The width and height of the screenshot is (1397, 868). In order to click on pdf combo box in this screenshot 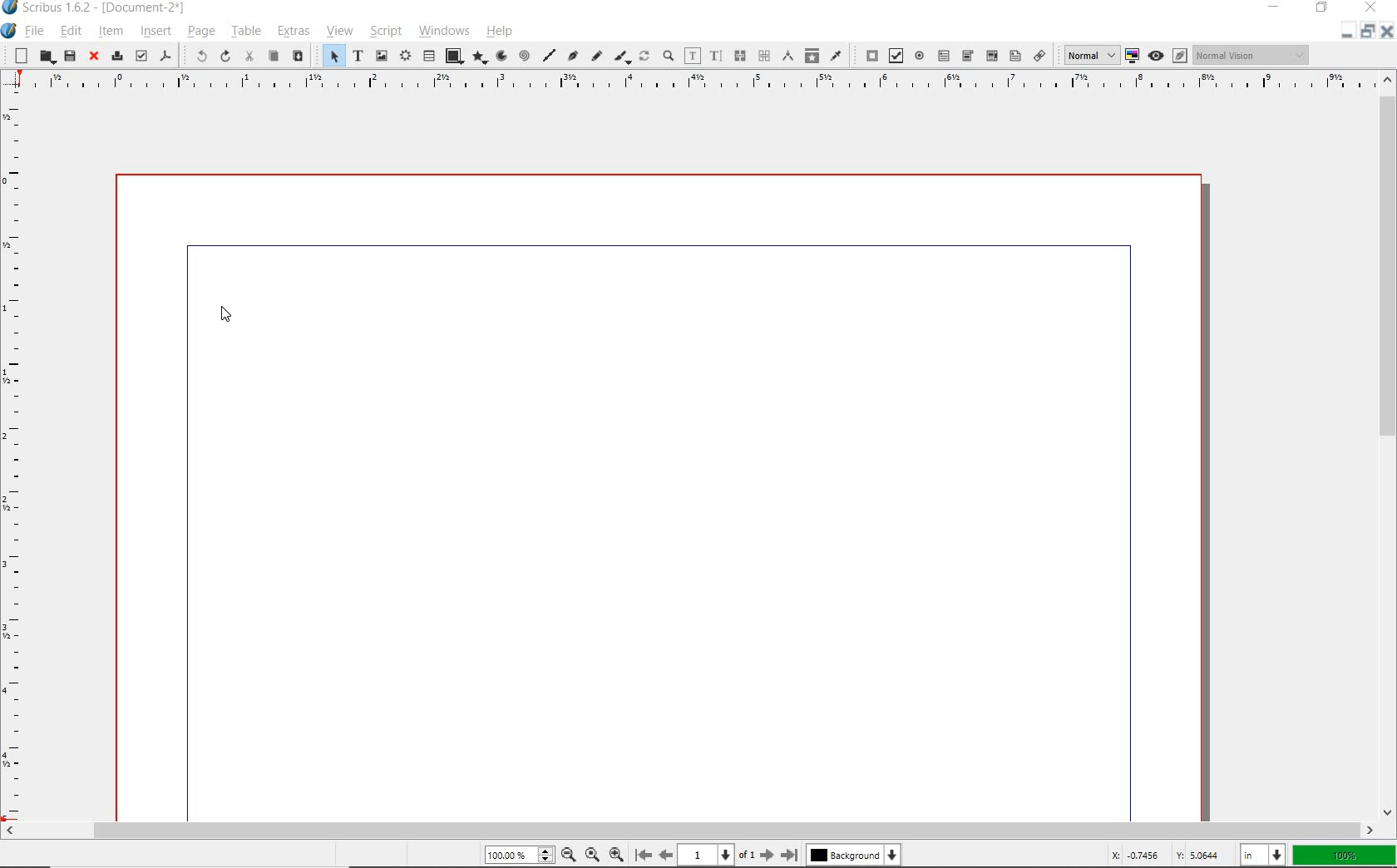, I will do `click(991, 57)`.